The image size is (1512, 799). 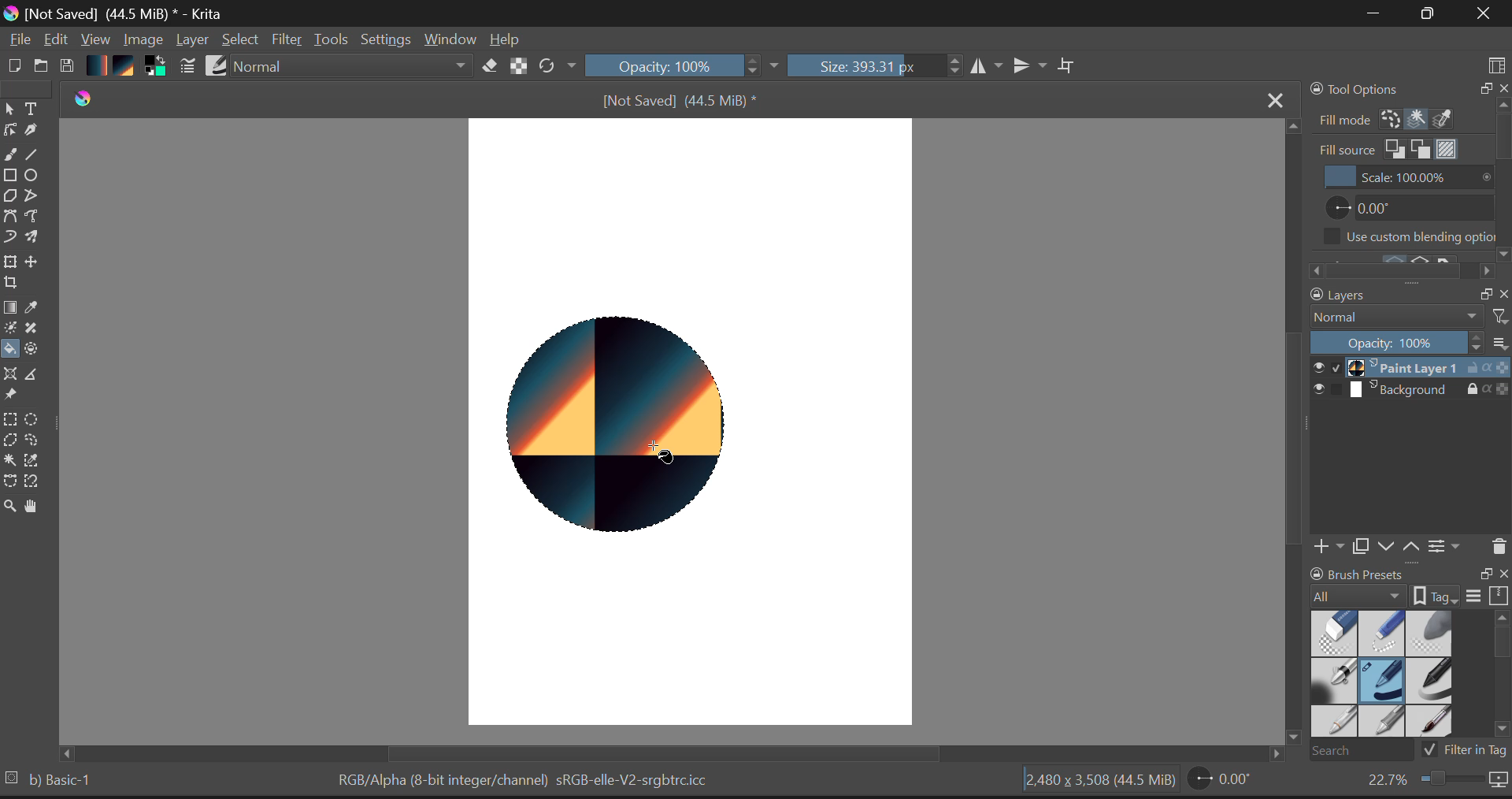 What do you see at coordinates (41, 442) in the screenshot?
I see `Freehand Selection` at bounding box center [41, 442].